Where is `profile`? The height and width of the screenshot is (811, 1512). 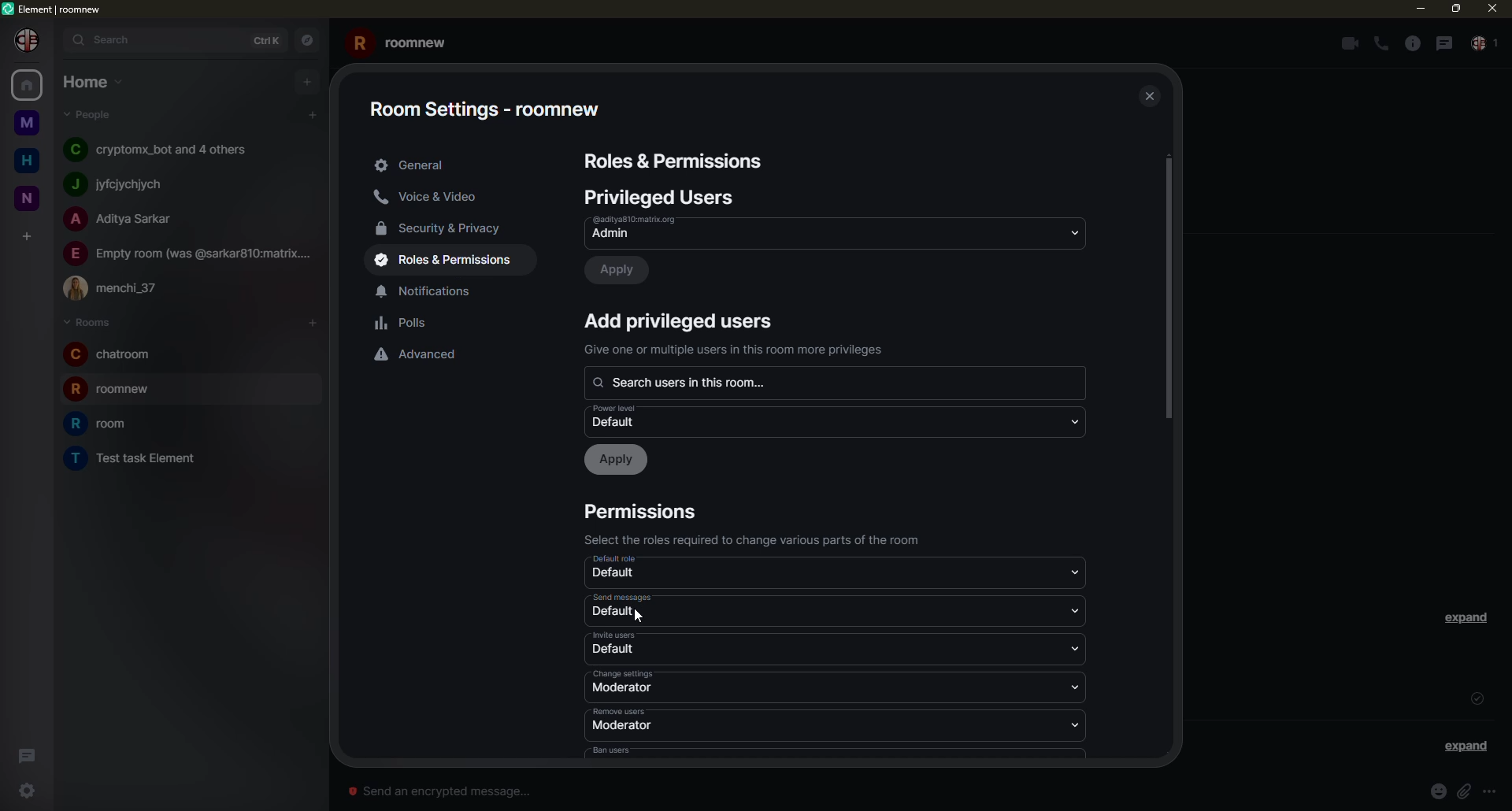 profile is located at coordinates (28, 40).